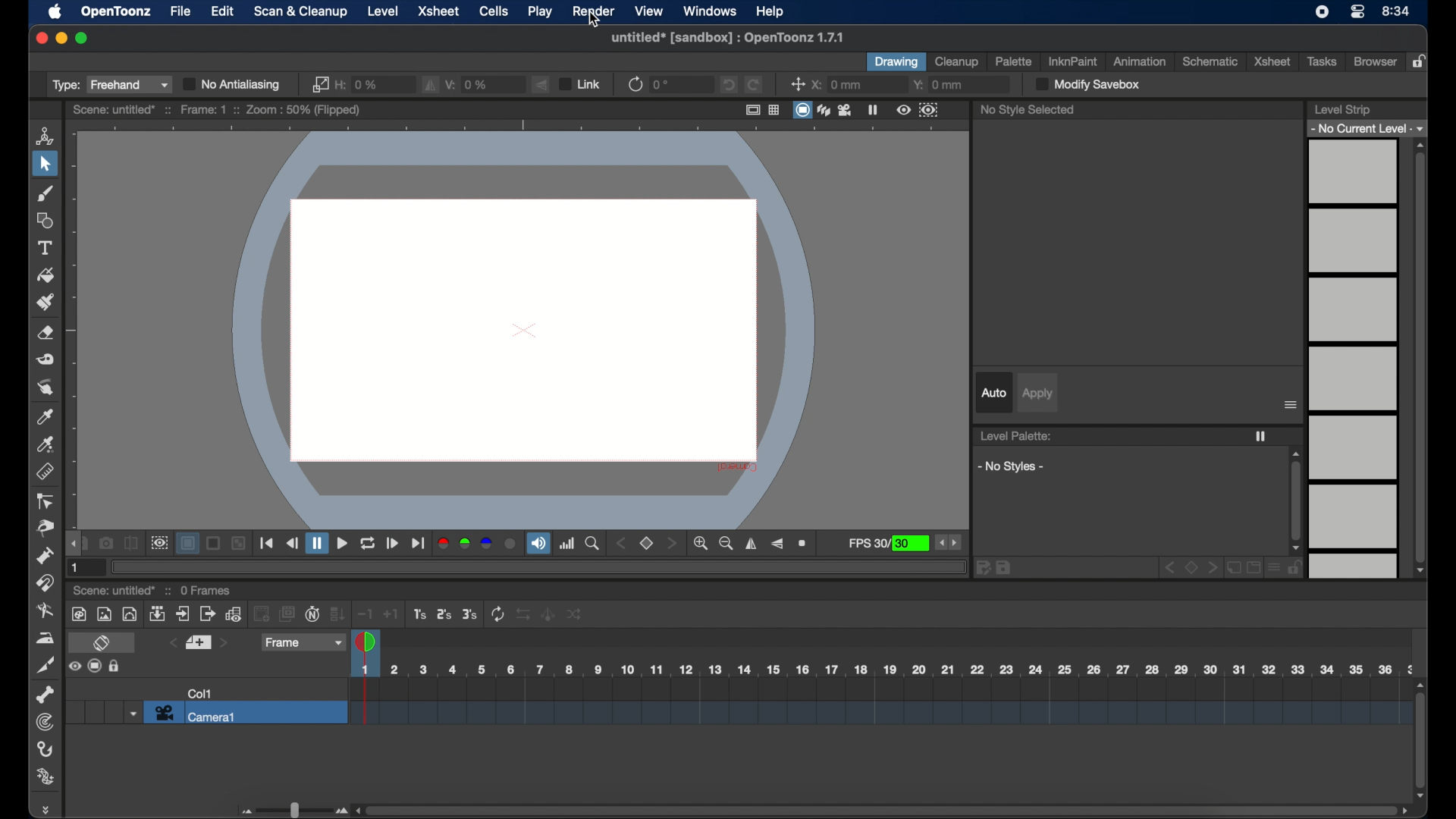 This screenshot has height=819, width=1456. What do you see at coordinates (477, 544) in the screenshot?
I see `color channels` at bounding box center [477, 544].